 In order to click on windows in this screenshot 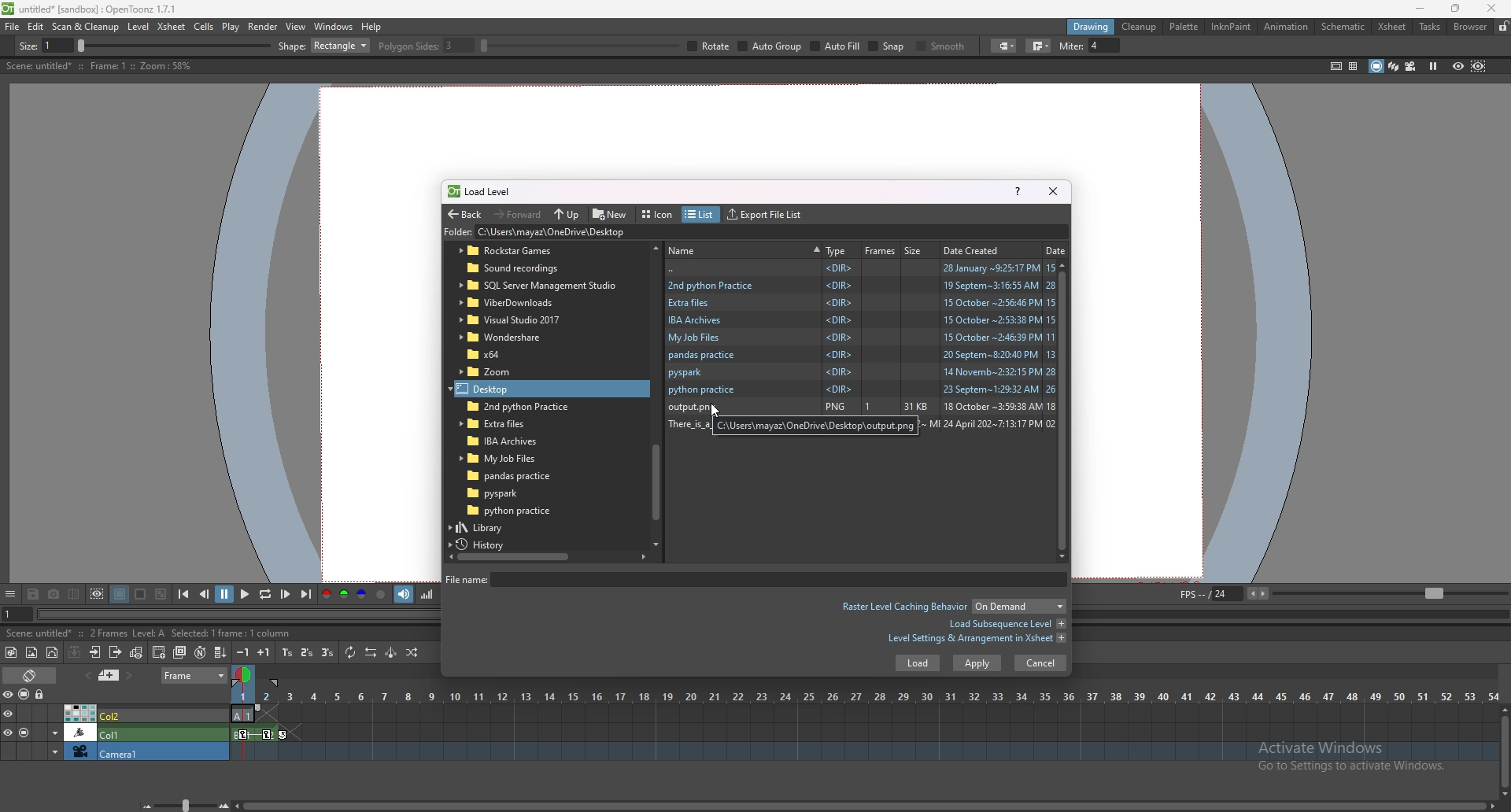, I will do `click(333, 27)`.